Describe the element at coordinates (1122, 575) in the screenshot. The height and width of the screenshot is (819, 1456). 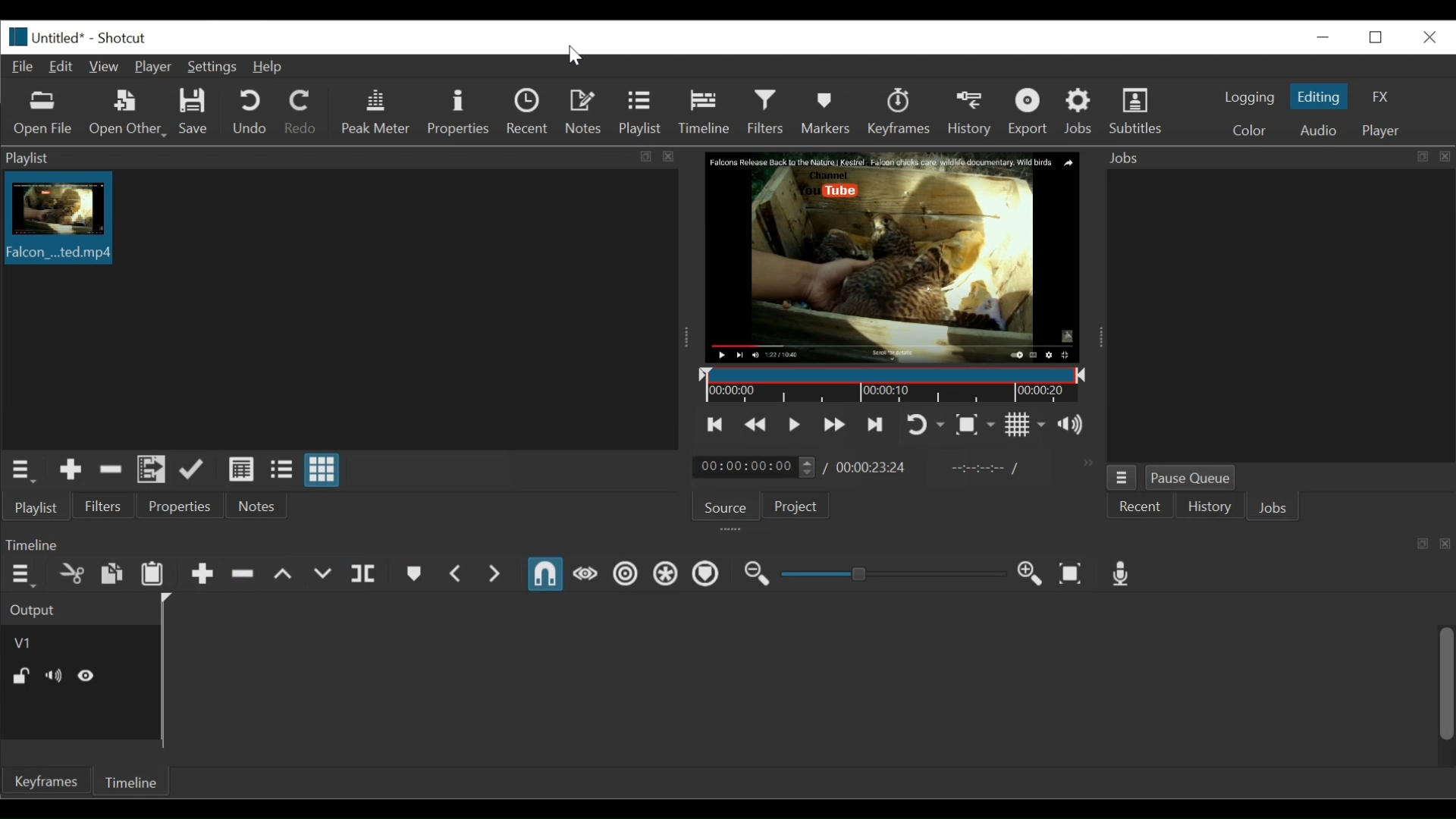
I see `Record audio` at that location.